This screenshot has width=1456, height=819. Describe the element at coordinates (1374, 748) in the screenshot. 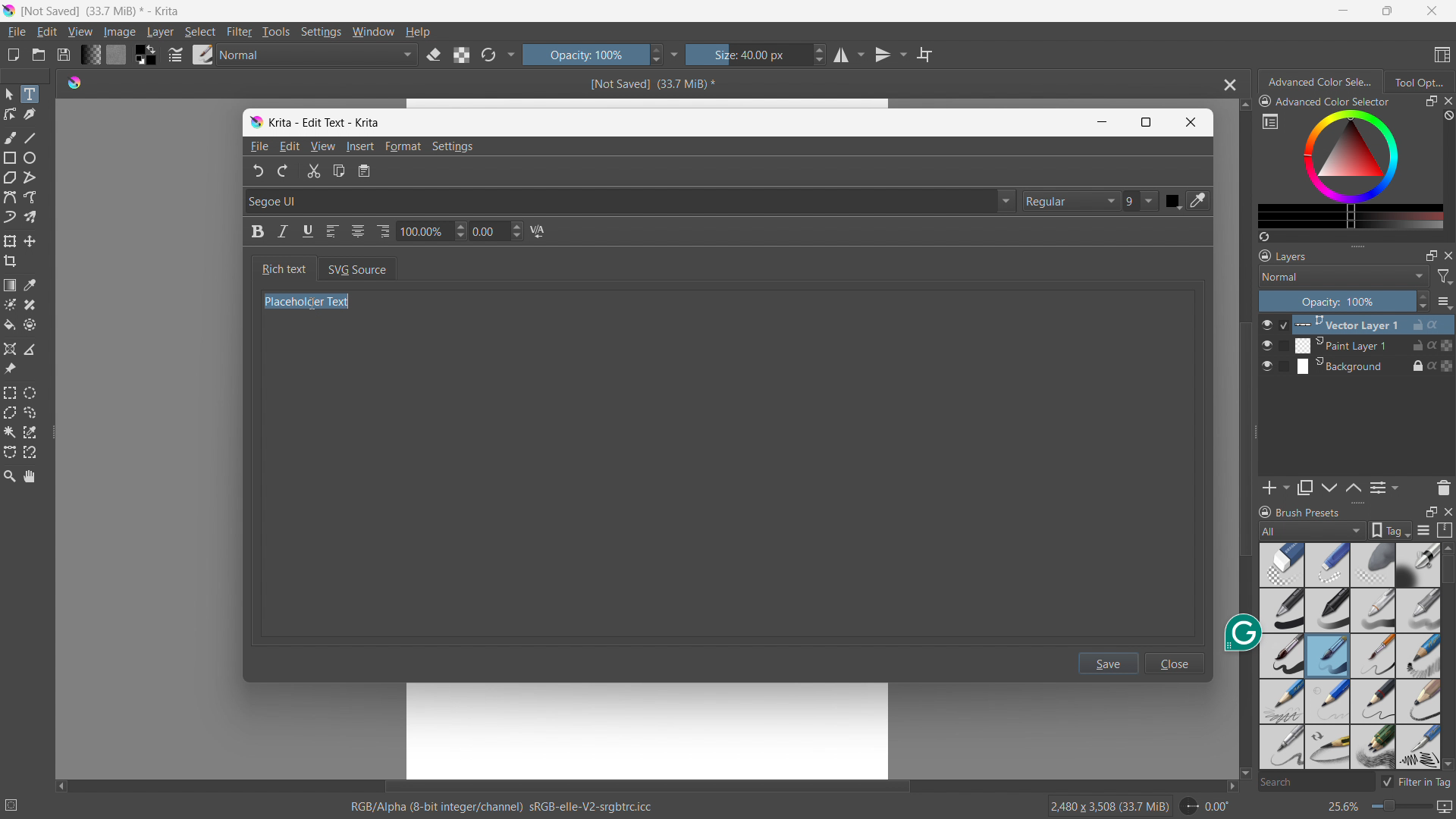

I see `multi pencil ` at that location.